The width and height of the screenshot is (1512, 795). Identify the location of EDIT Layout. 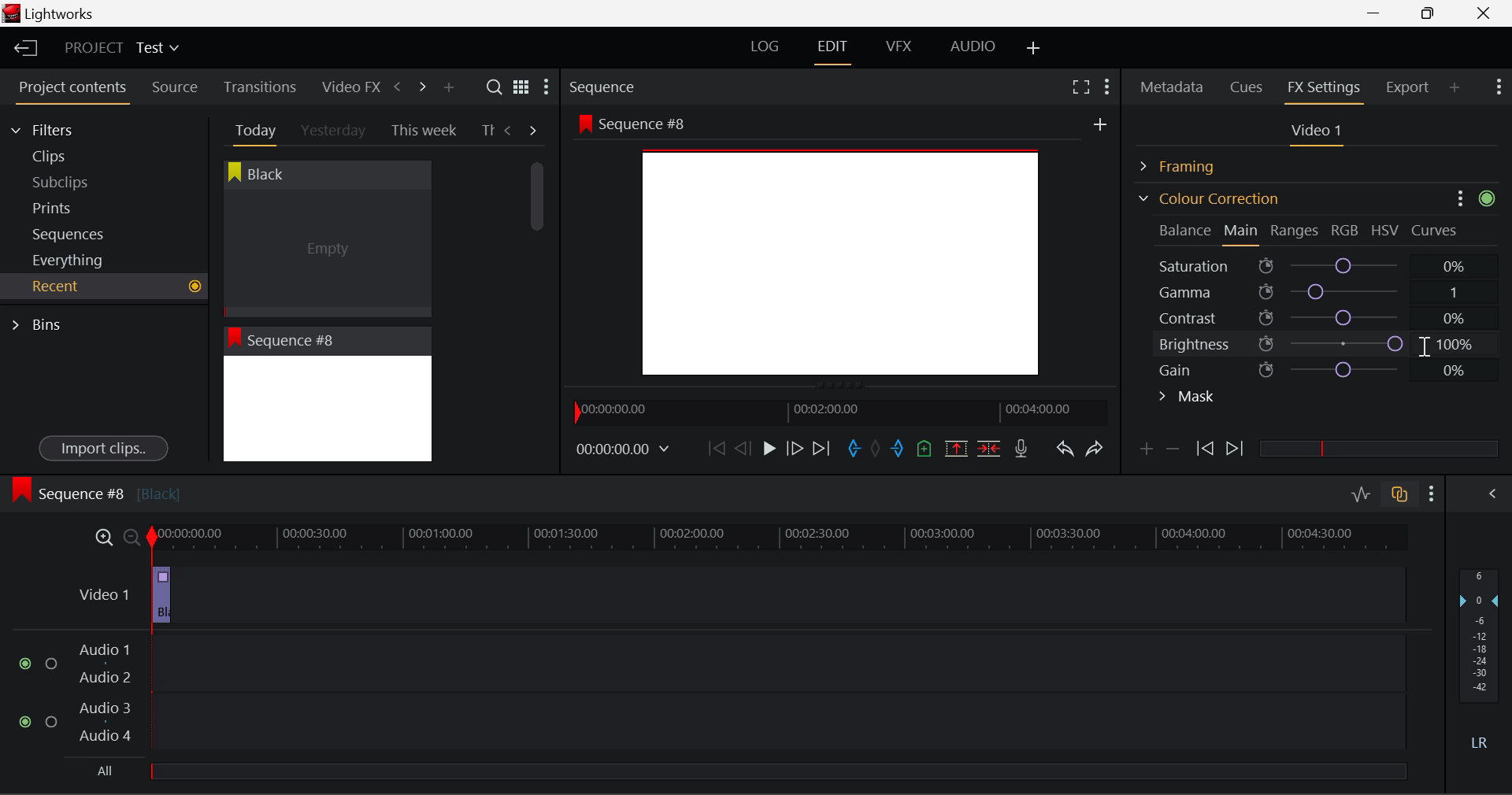
(835, 50).